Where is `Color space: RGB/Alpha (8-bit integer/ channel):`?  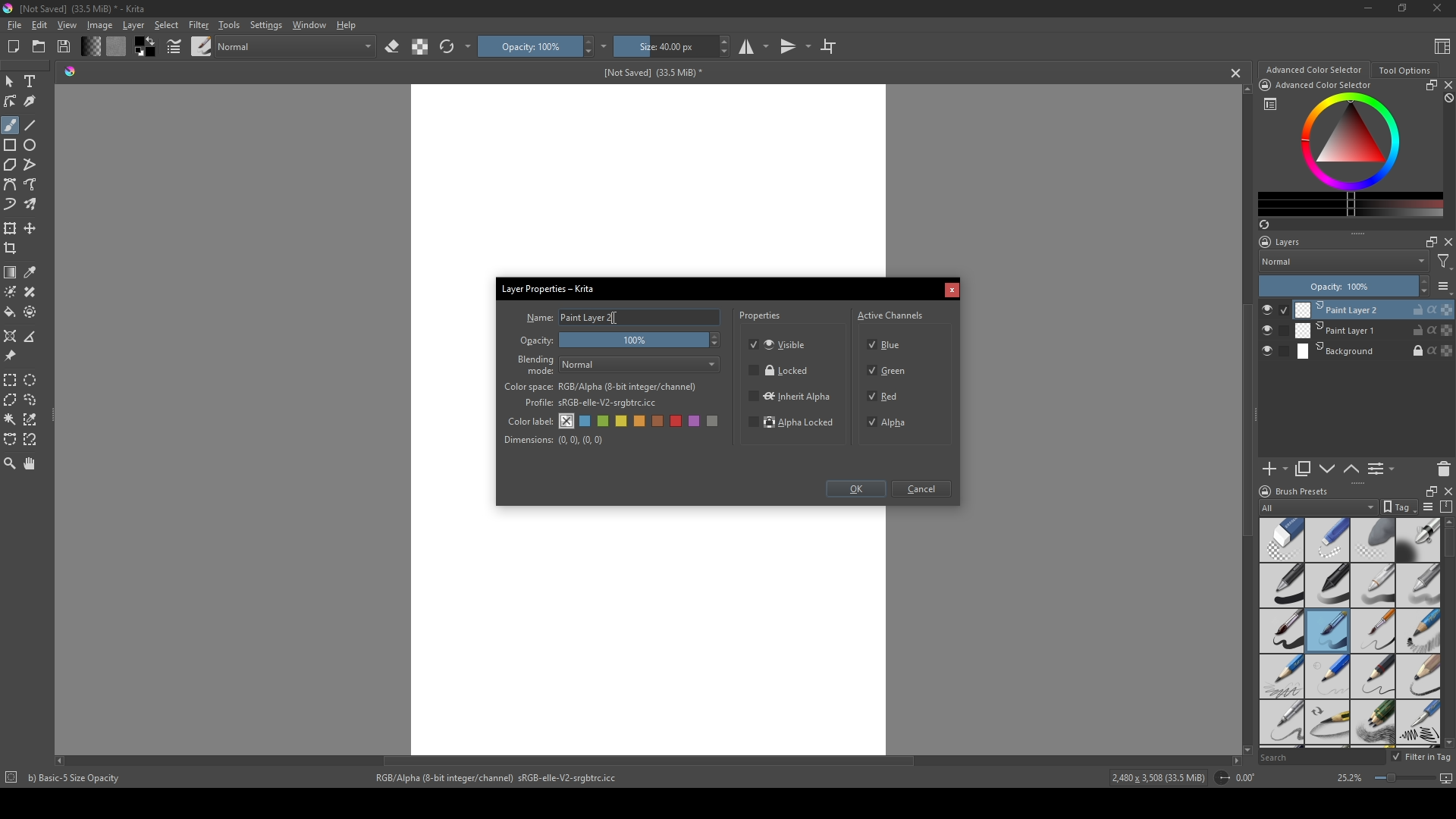 Color space: RGB/Alpha (8-bit integer/ channel): is located at coordinates (601, 387).